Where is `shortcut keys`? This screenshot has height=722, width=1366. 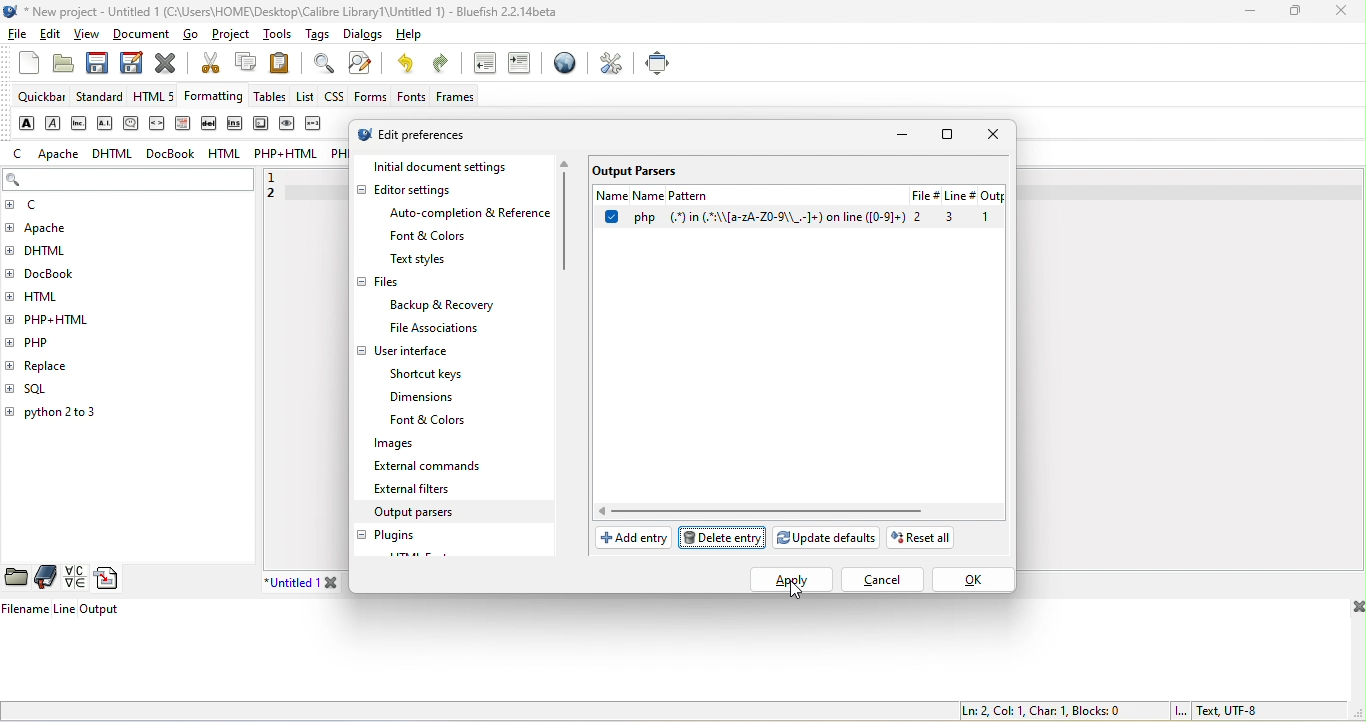 shortcut keys is located at coordinates (433, 374).